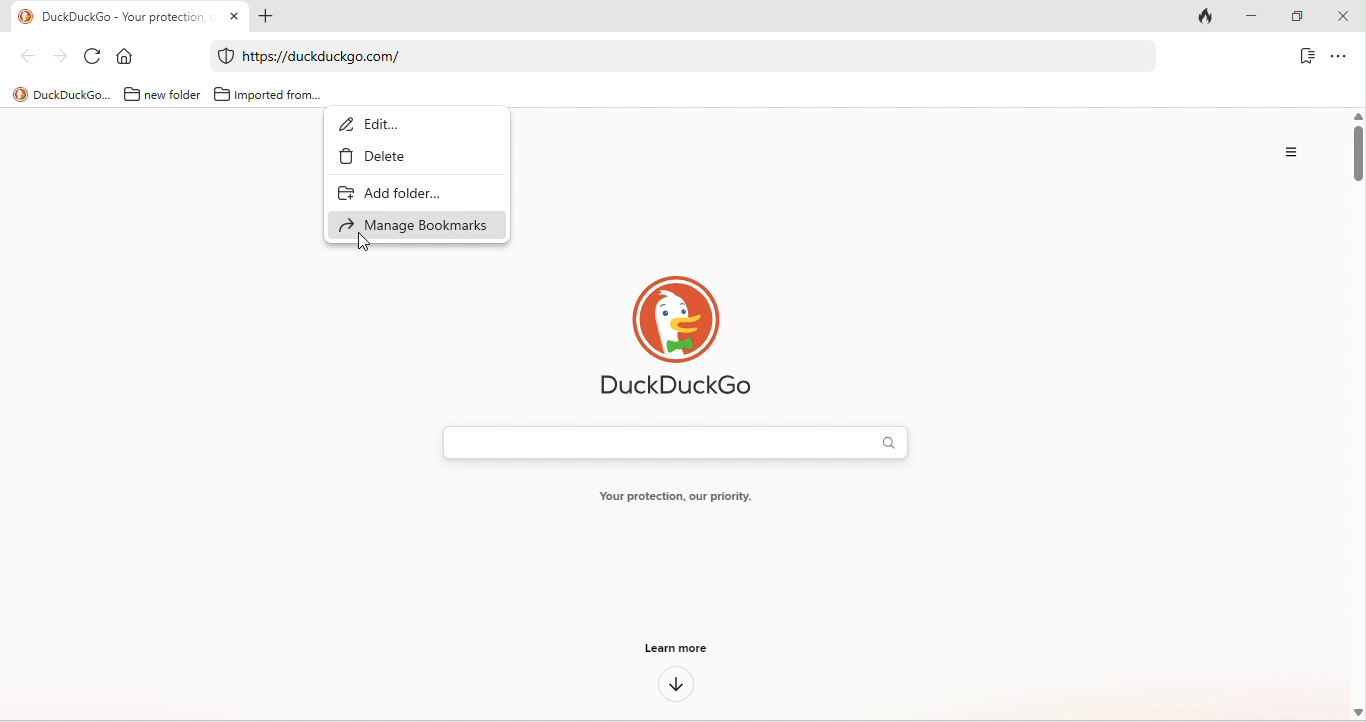 The image size is (1366, 722). I want to click on duckduckgo protection, so click(223, 56).